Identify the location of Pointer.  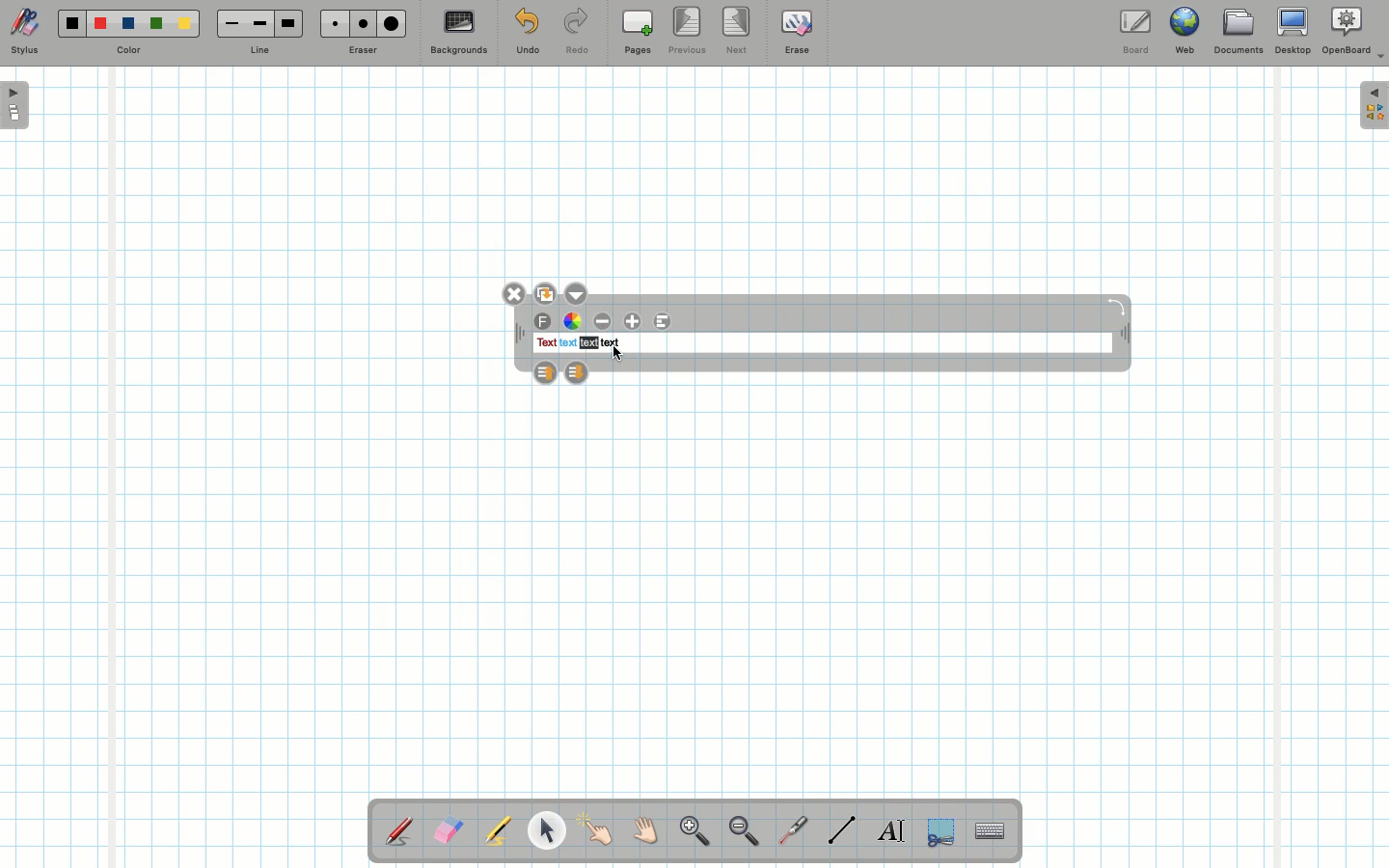
(546, 830).